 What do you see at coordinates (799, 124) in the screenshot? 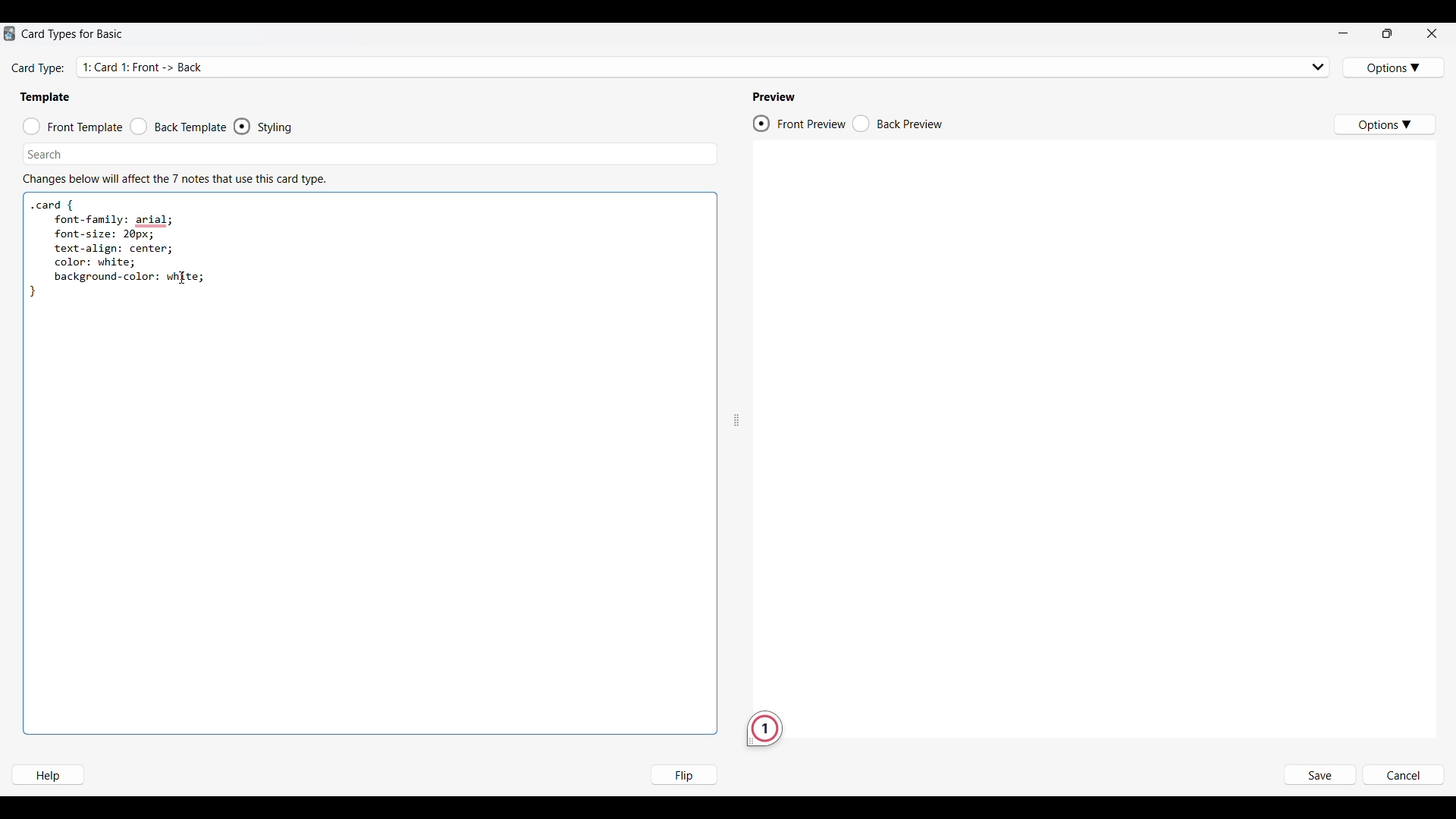
I see `Preview front of card, current selection` at bounding box center [799, 124].